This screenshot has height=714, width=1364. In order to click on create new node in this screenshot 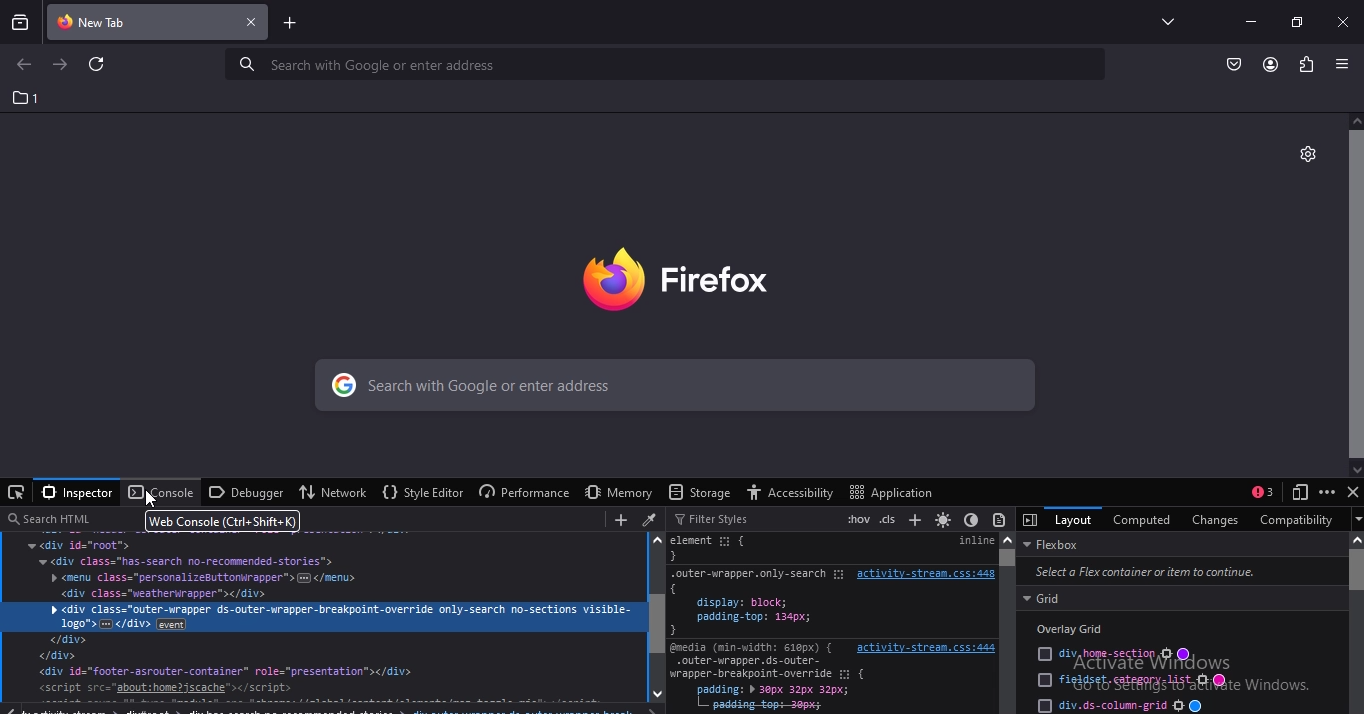, I will do `click(621, 521)`.